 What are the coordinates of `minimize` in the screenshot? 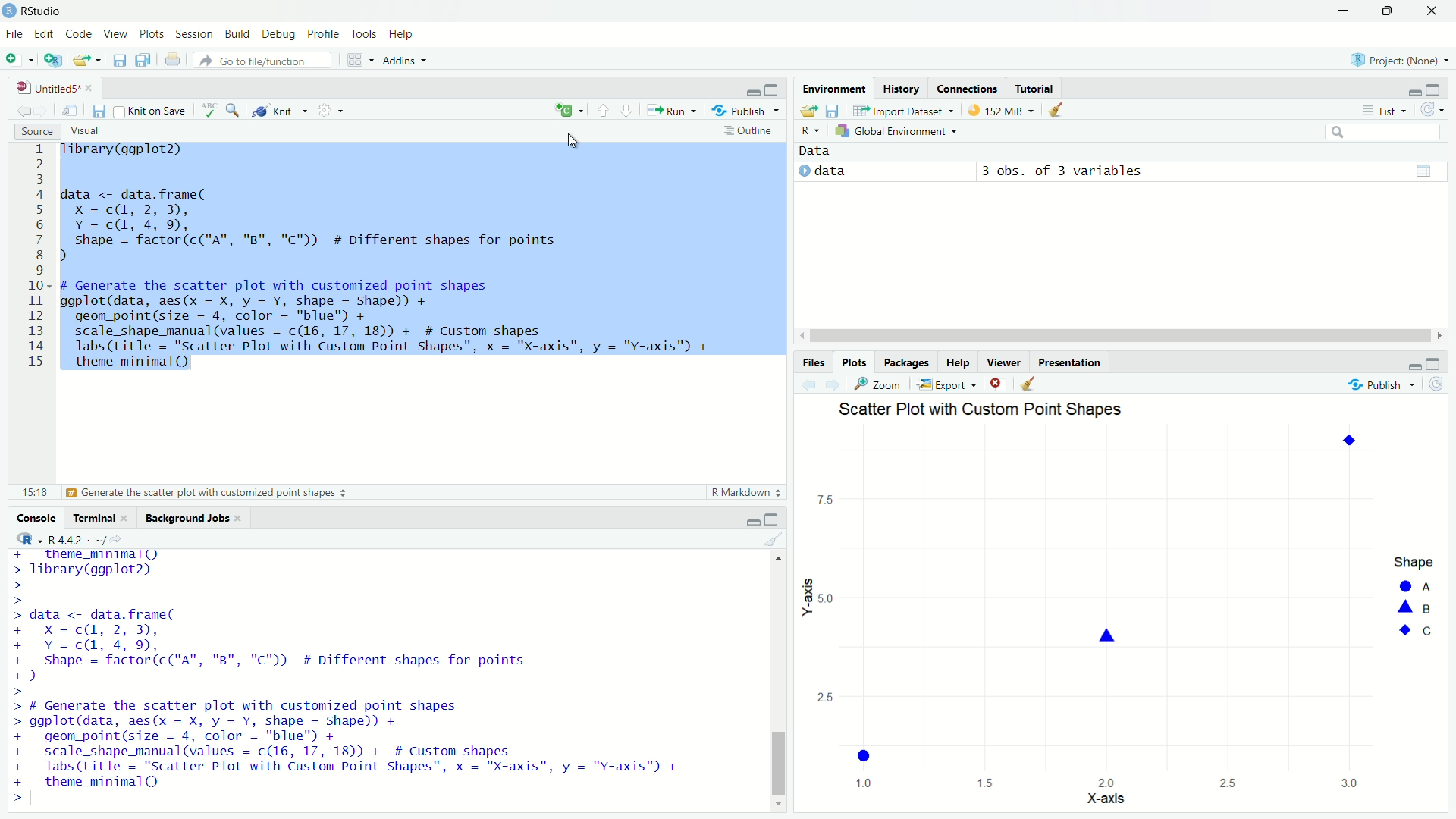 It's located at (752, 92).